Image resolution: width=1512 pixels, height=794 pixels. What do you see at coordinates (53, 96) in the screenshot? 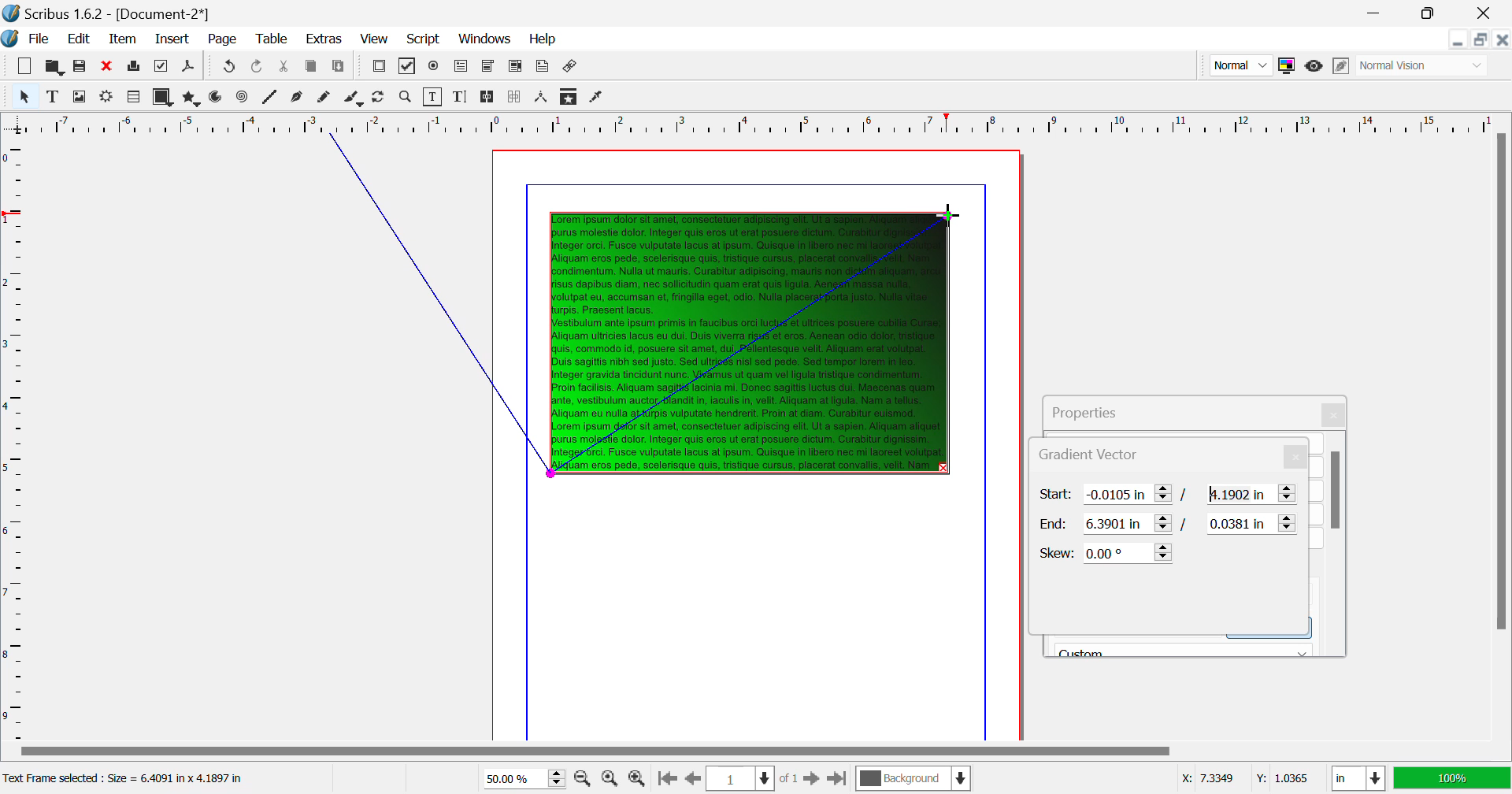
I see `Text Frame` at bounding box center [53, 96].